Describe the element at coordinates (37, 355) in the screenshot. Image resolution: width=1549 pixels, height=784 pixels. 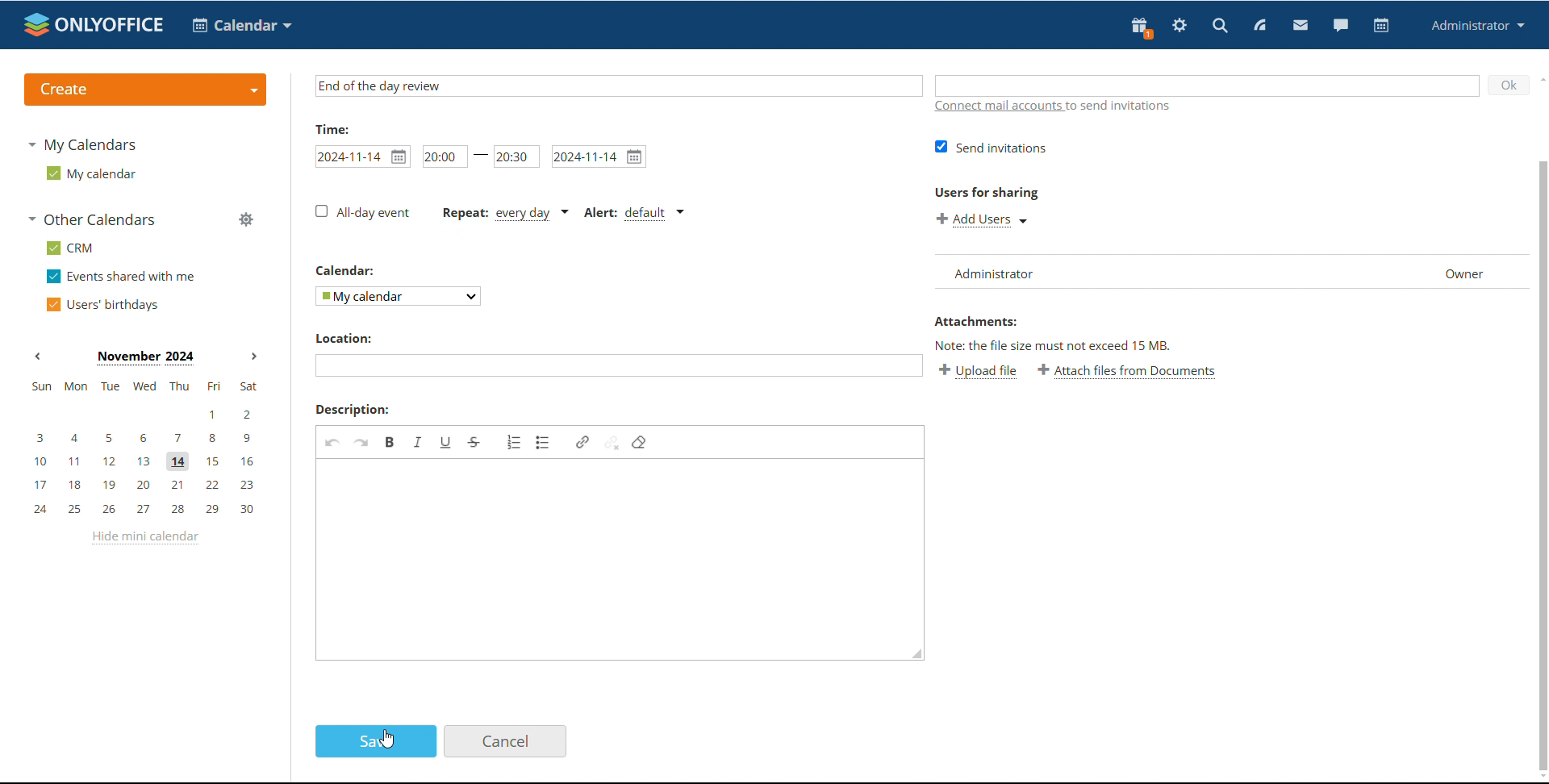
I see `previous month` at that location.